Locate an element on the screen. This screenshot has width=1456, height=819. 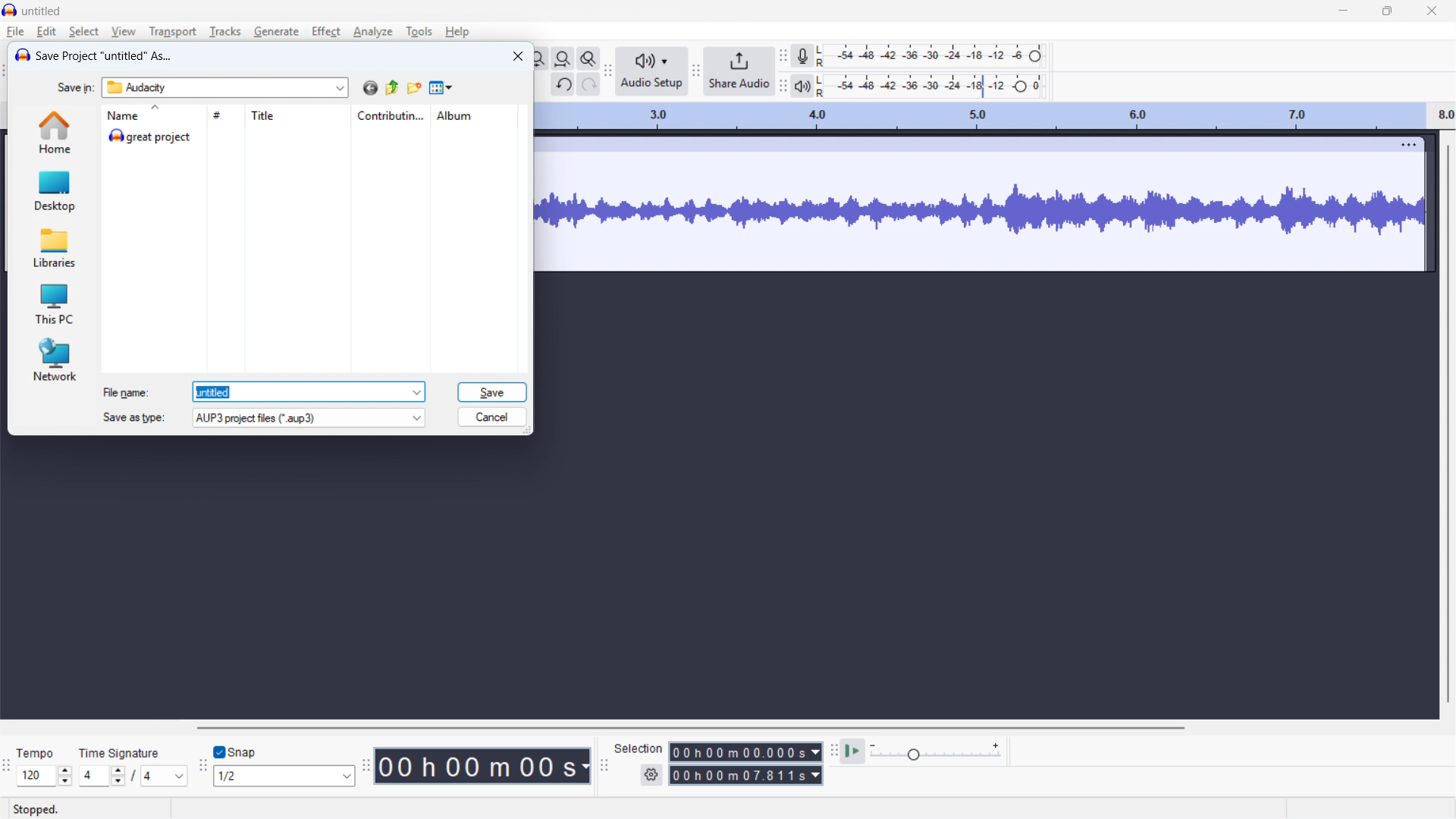
recording metre toolbar is located at coordinates (783, 55).